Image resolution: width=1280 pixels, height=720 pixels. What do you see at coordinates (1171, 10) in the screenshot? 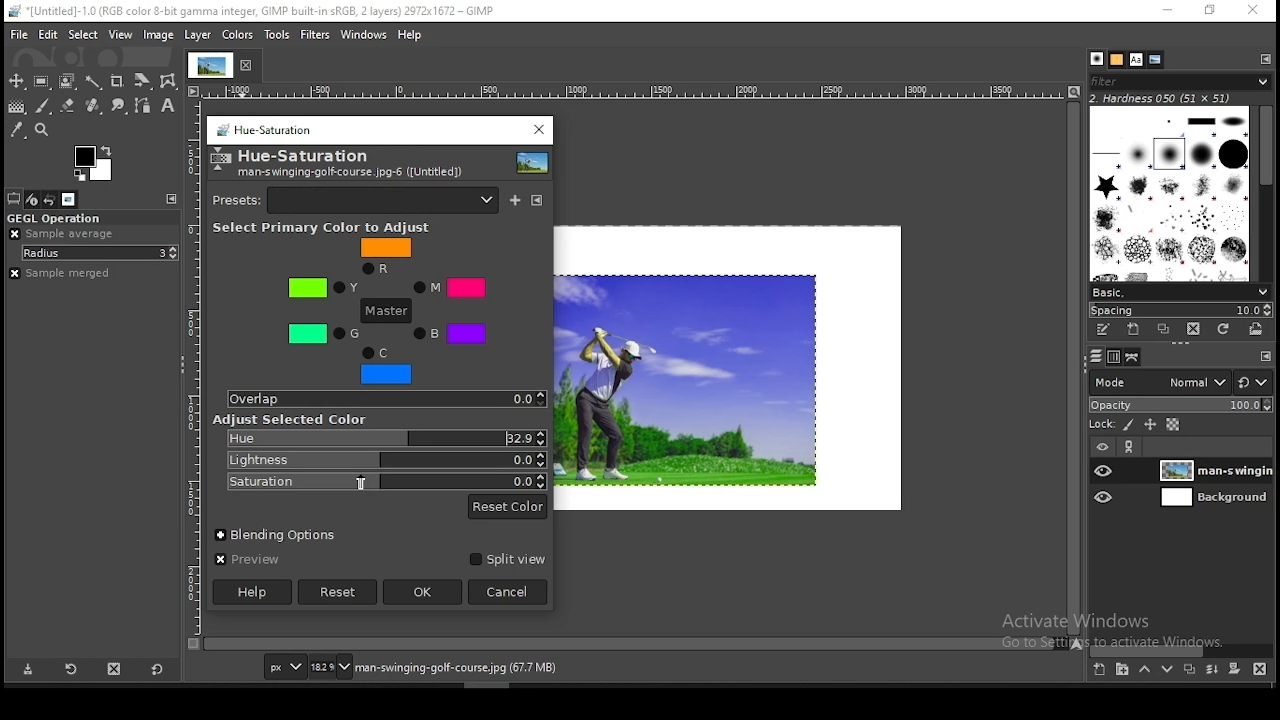
I see `minimize` at bounding box center [1171, 10].